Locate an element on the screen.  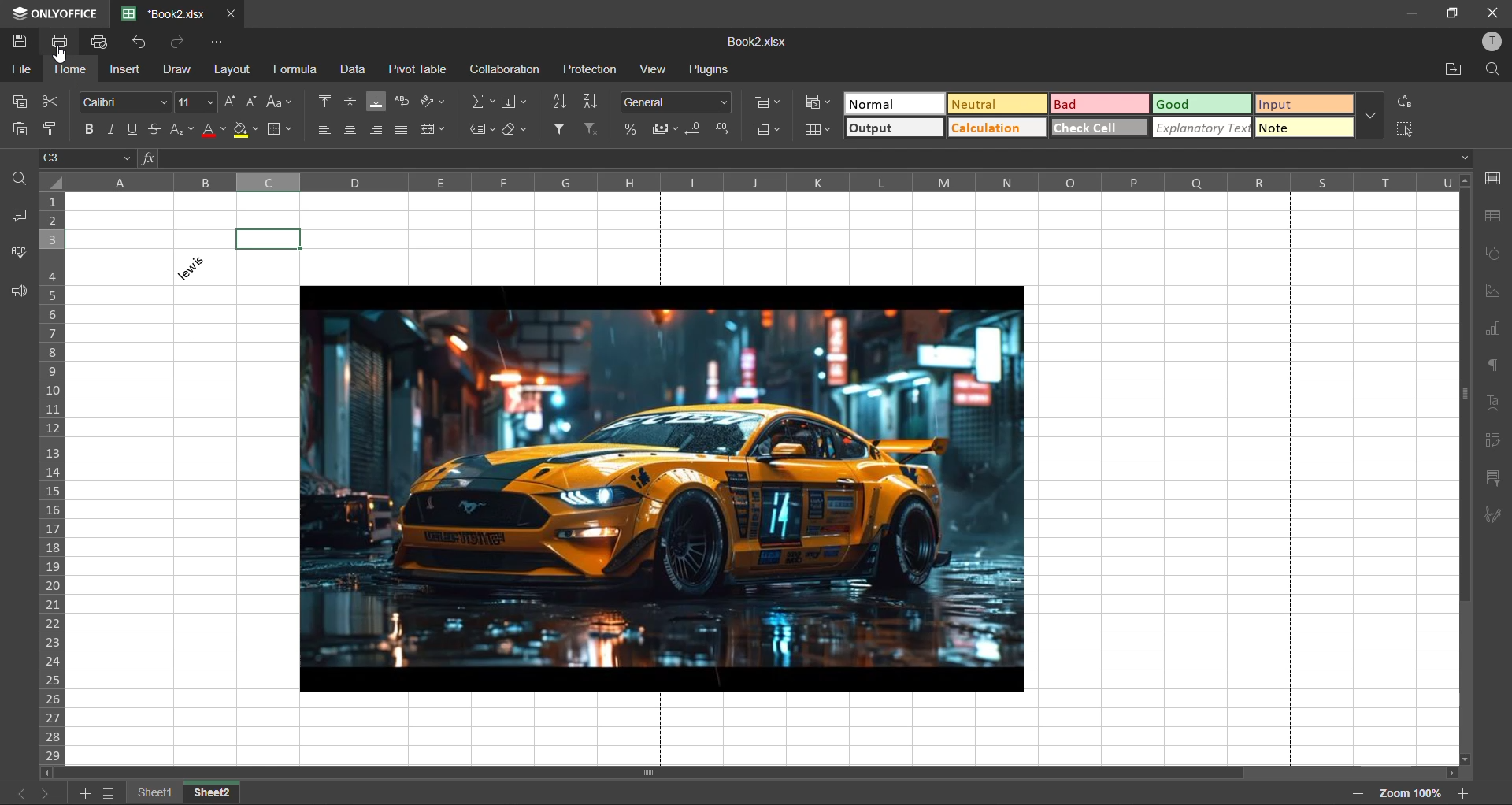
paragraph is located at coordinates (1490, 365).